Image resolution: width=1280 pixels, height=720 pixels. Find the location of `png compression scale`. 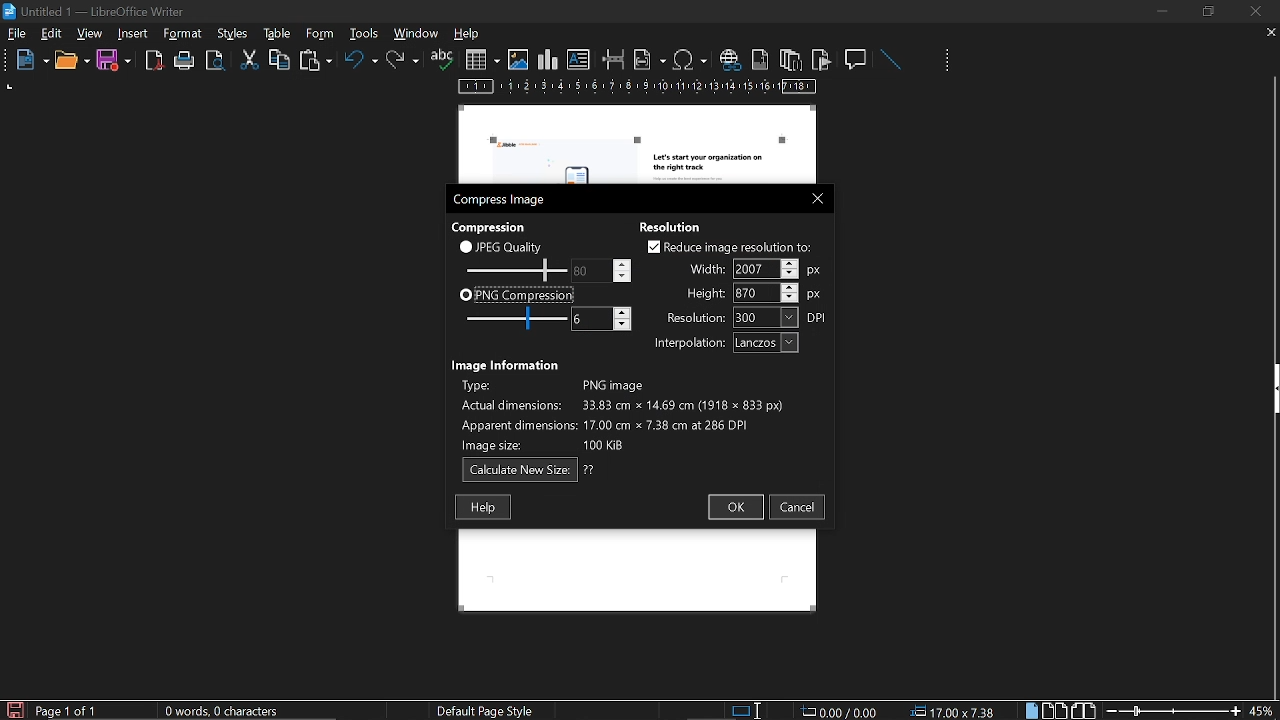

png compression scale is located at coordinates (511, 318).